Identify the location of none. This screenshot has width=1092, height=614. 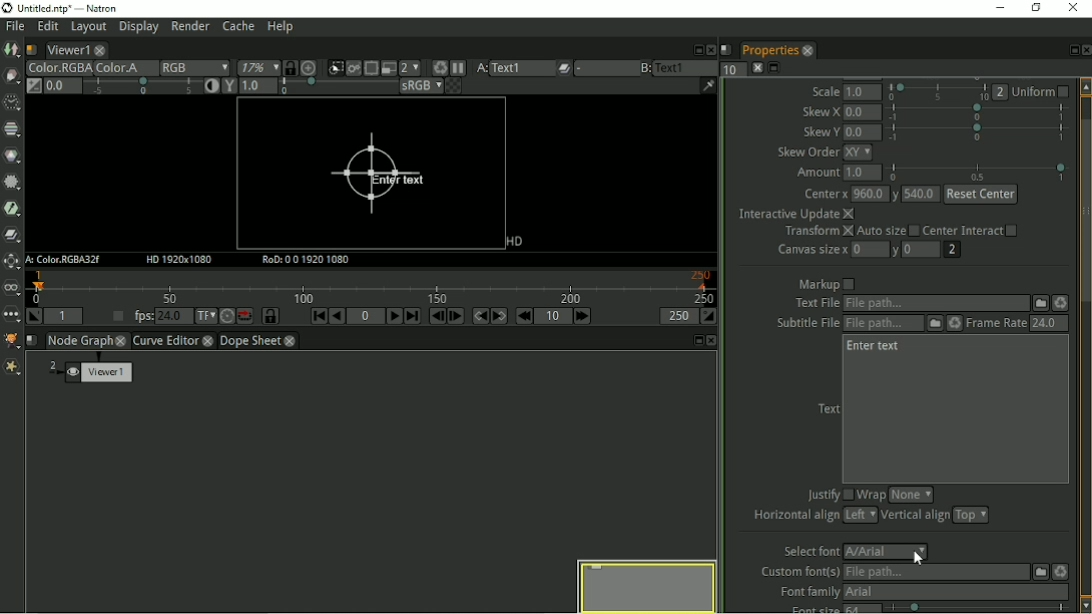
(910, 495).